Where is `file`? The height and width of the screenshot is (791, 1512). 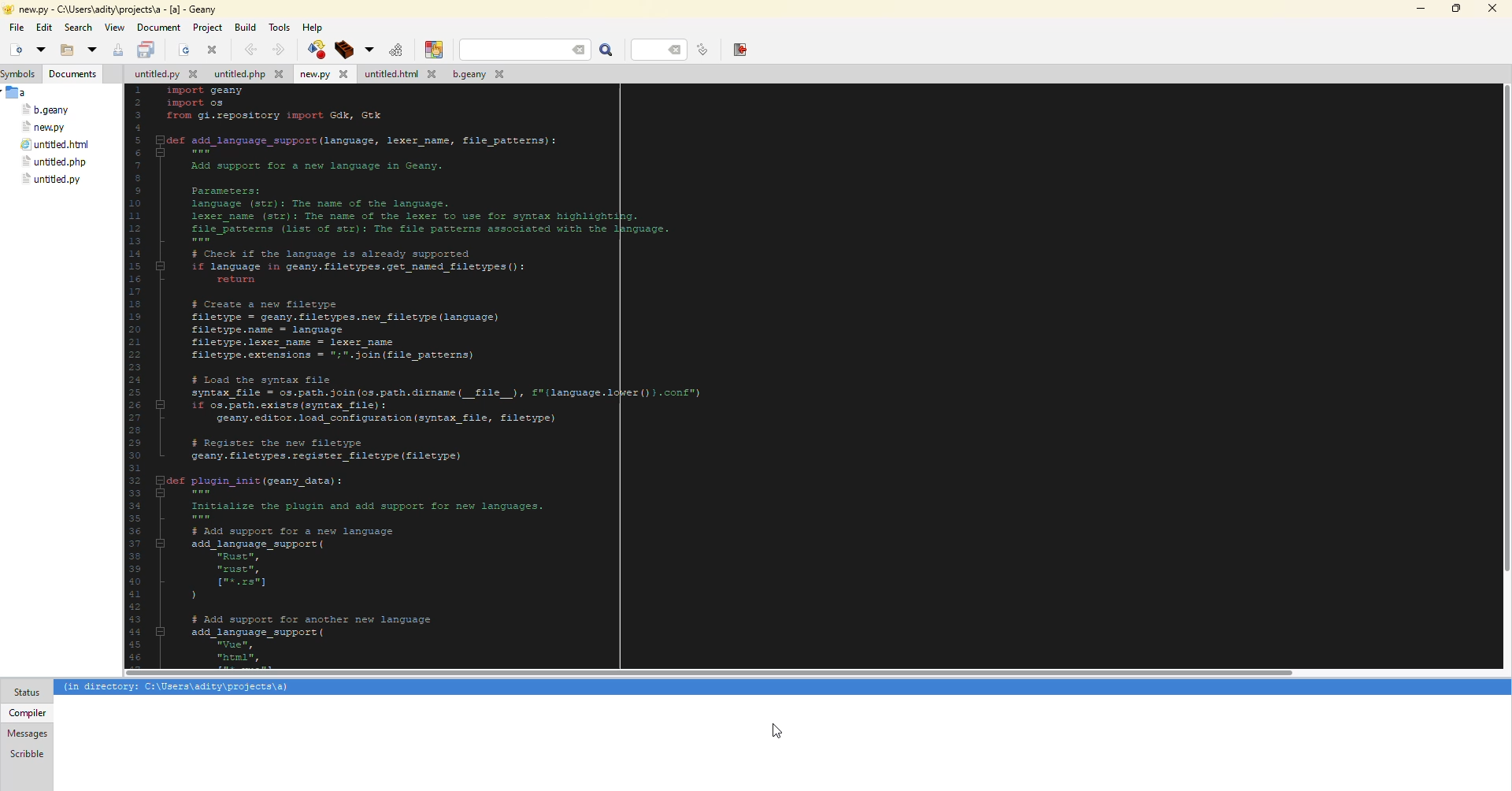 file is located at coordinates (50, 179).